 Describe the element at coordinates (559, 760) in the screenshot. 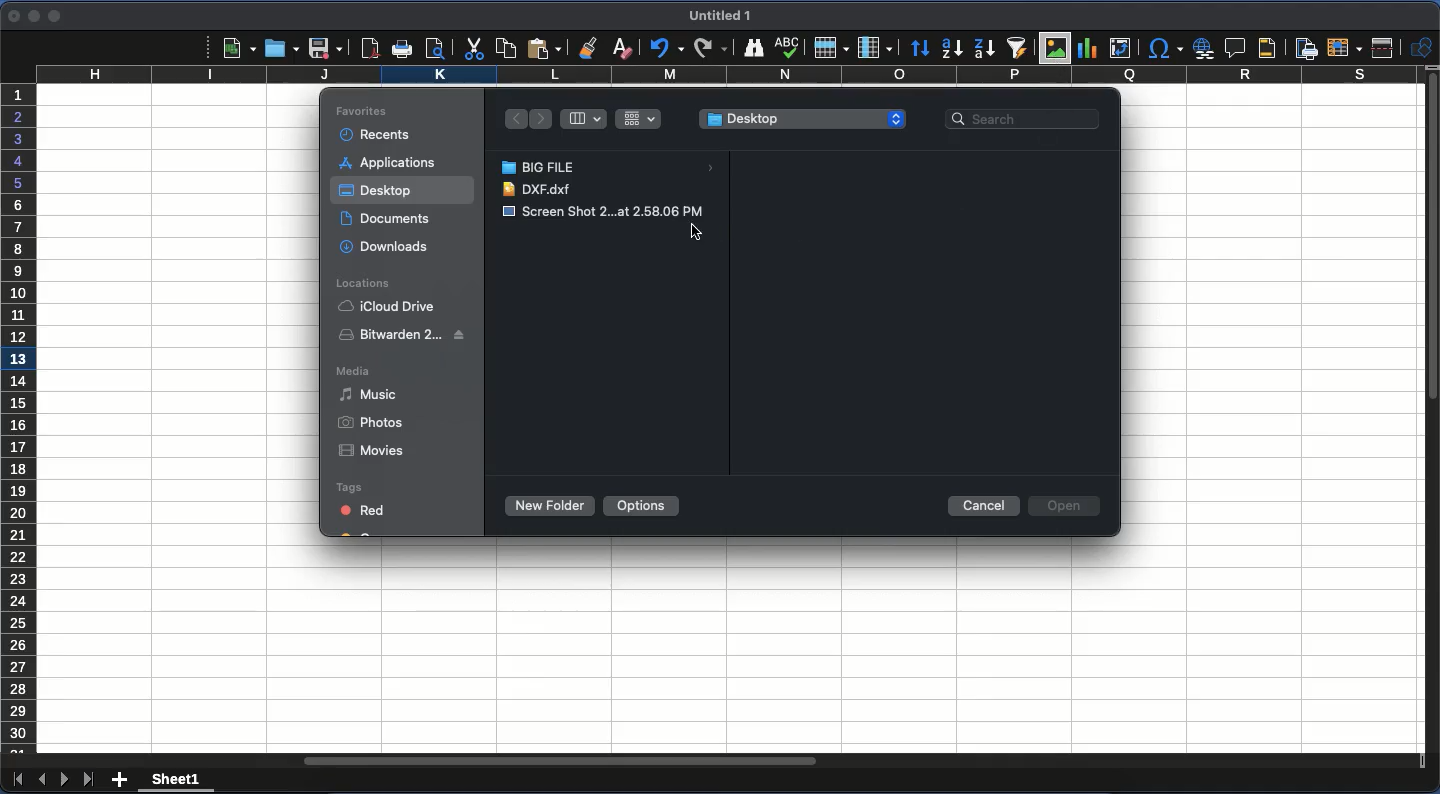

I see `horizontal scroll bar` at that location.